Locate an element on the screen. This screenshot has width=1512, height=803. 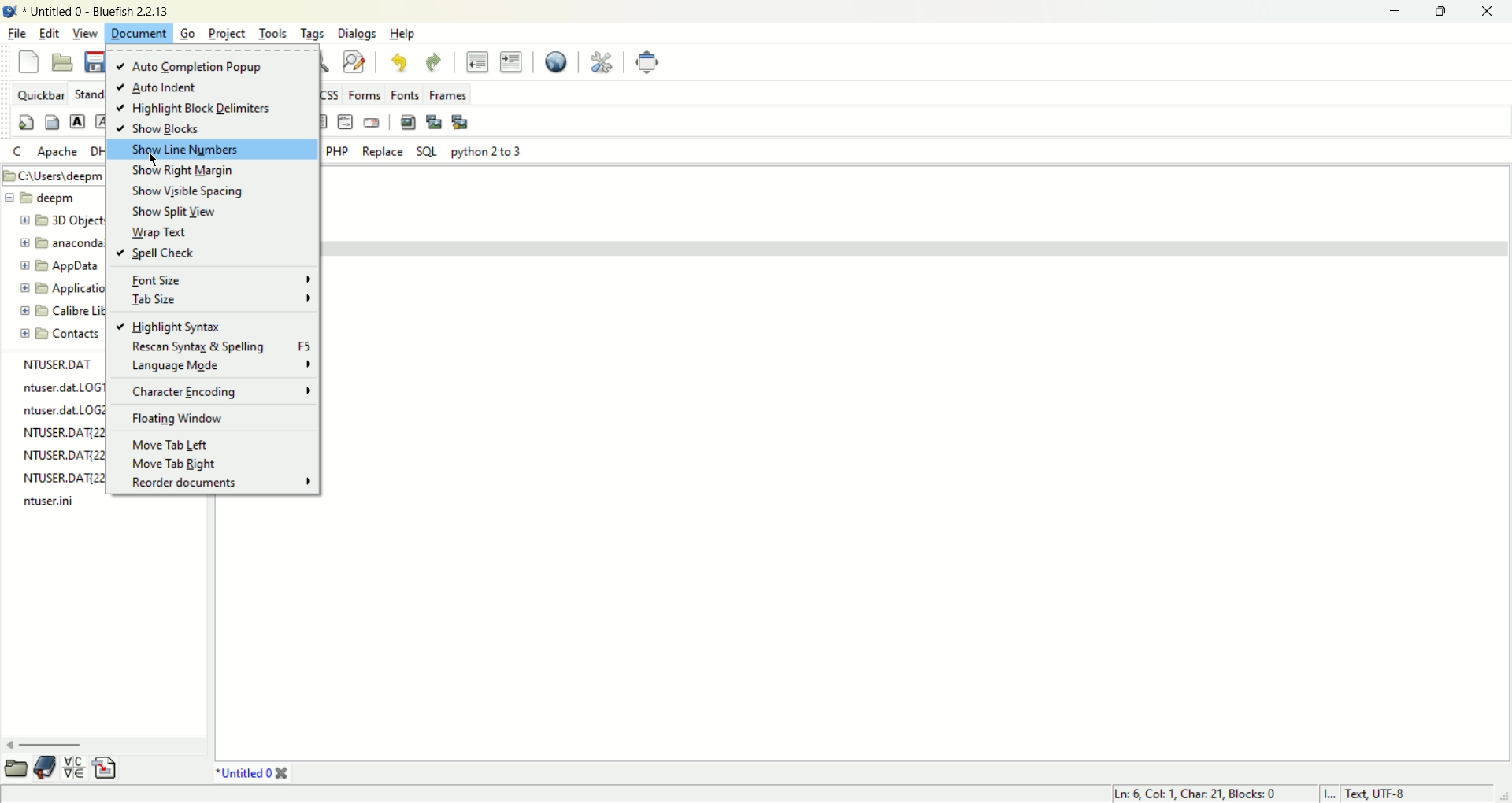
ntuser.dat.LOGZ is located at coordinates (62, 410).